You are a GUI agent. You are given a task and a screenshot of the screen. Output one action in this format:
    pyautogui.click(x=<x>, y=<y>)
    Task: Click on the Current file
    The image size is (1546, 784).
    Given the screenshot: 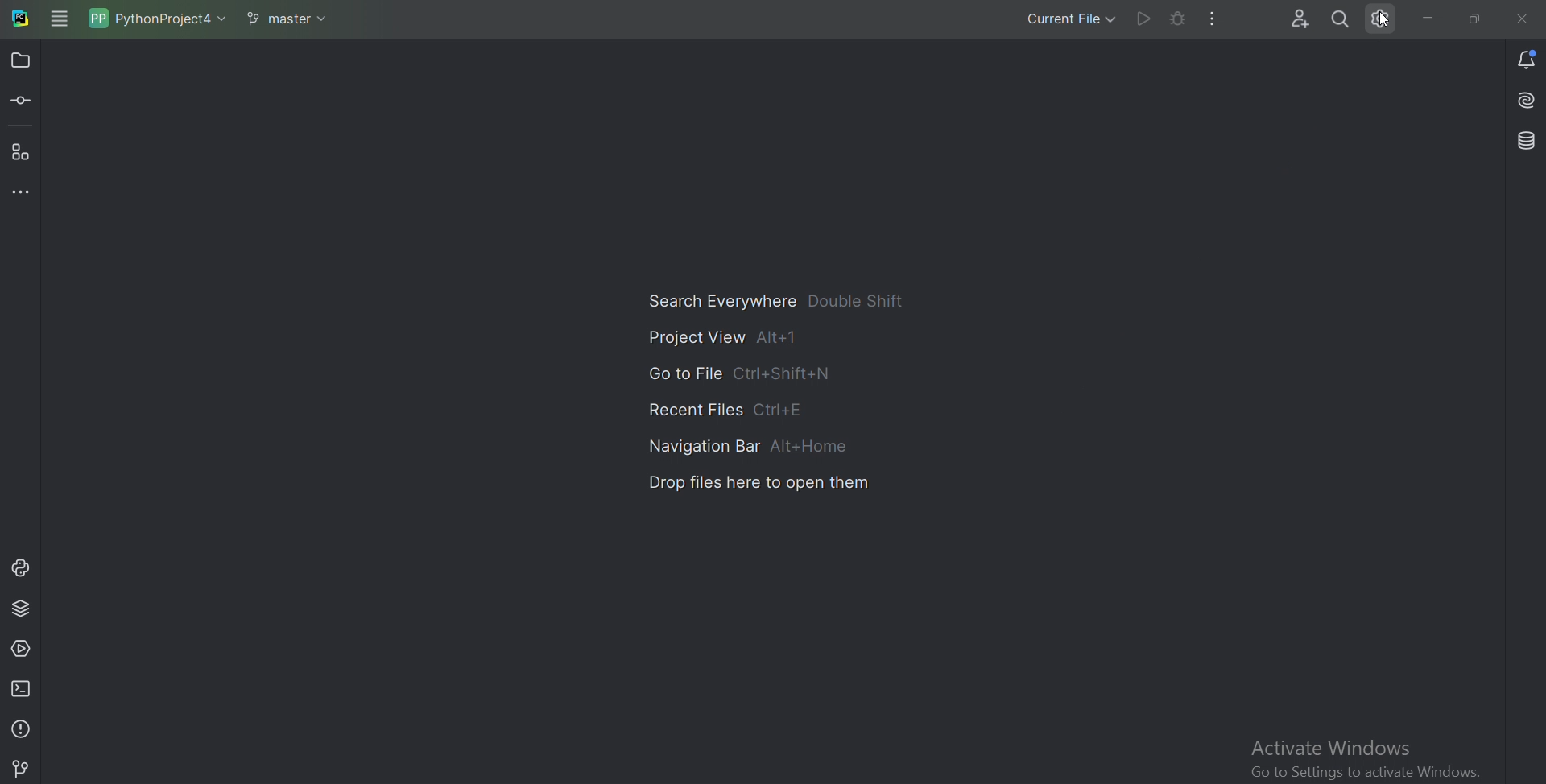 What is the action you would take?
    pyautogui.click(x=1055, y=19)
    